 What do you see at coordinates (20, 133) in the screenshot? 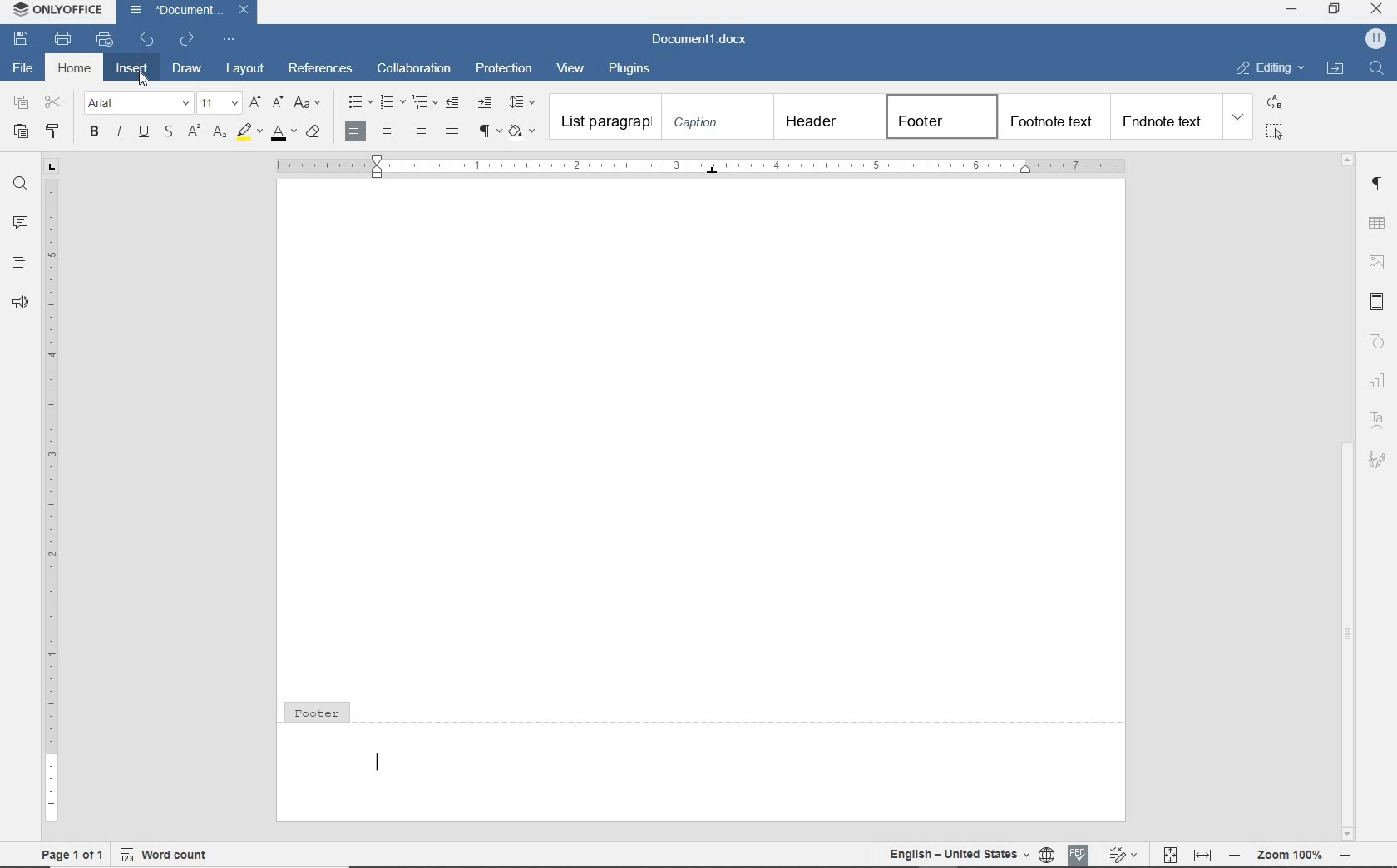
I see `PASTE` at bounding box center [20, 133].